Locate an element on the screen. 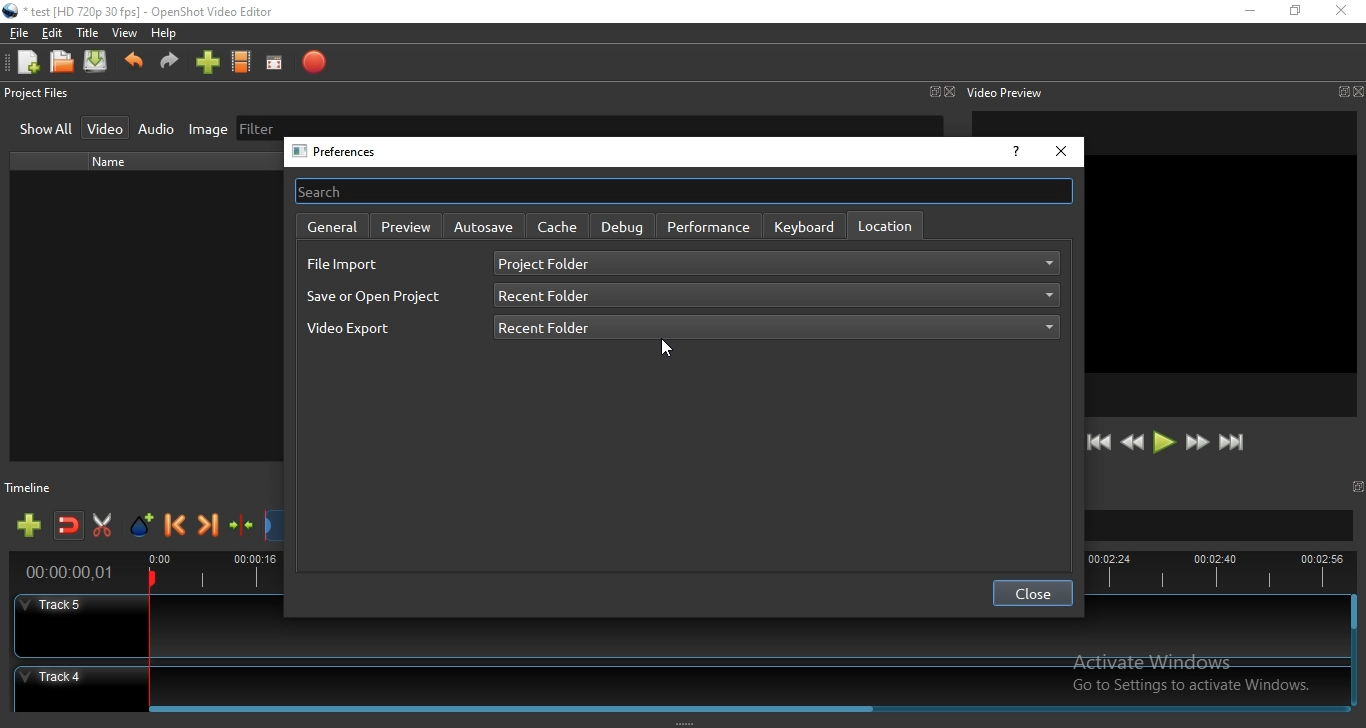 Image resolution: width=1366 pixels, height=728 pixels. save as open project is located at coordinates (374, 296).